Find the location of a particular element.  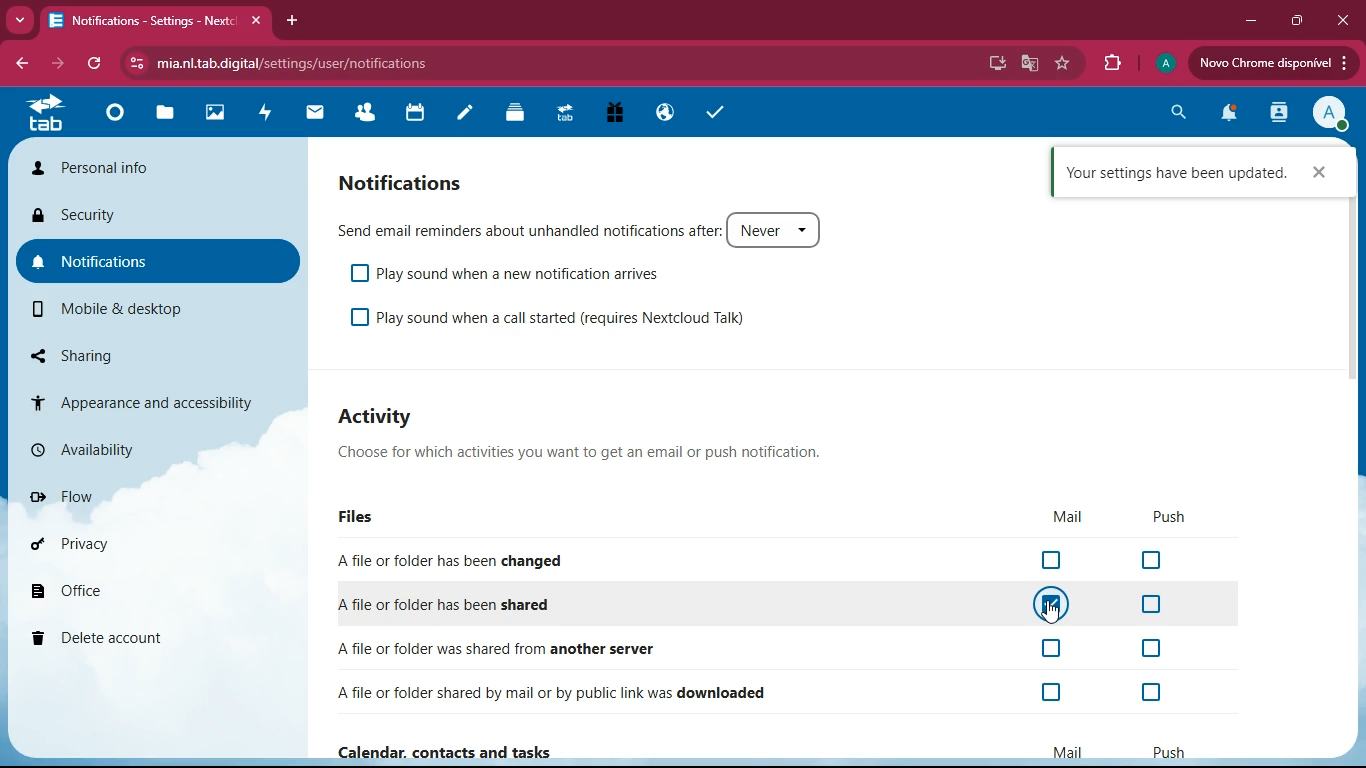

off is located at coordinates (1048, 693).